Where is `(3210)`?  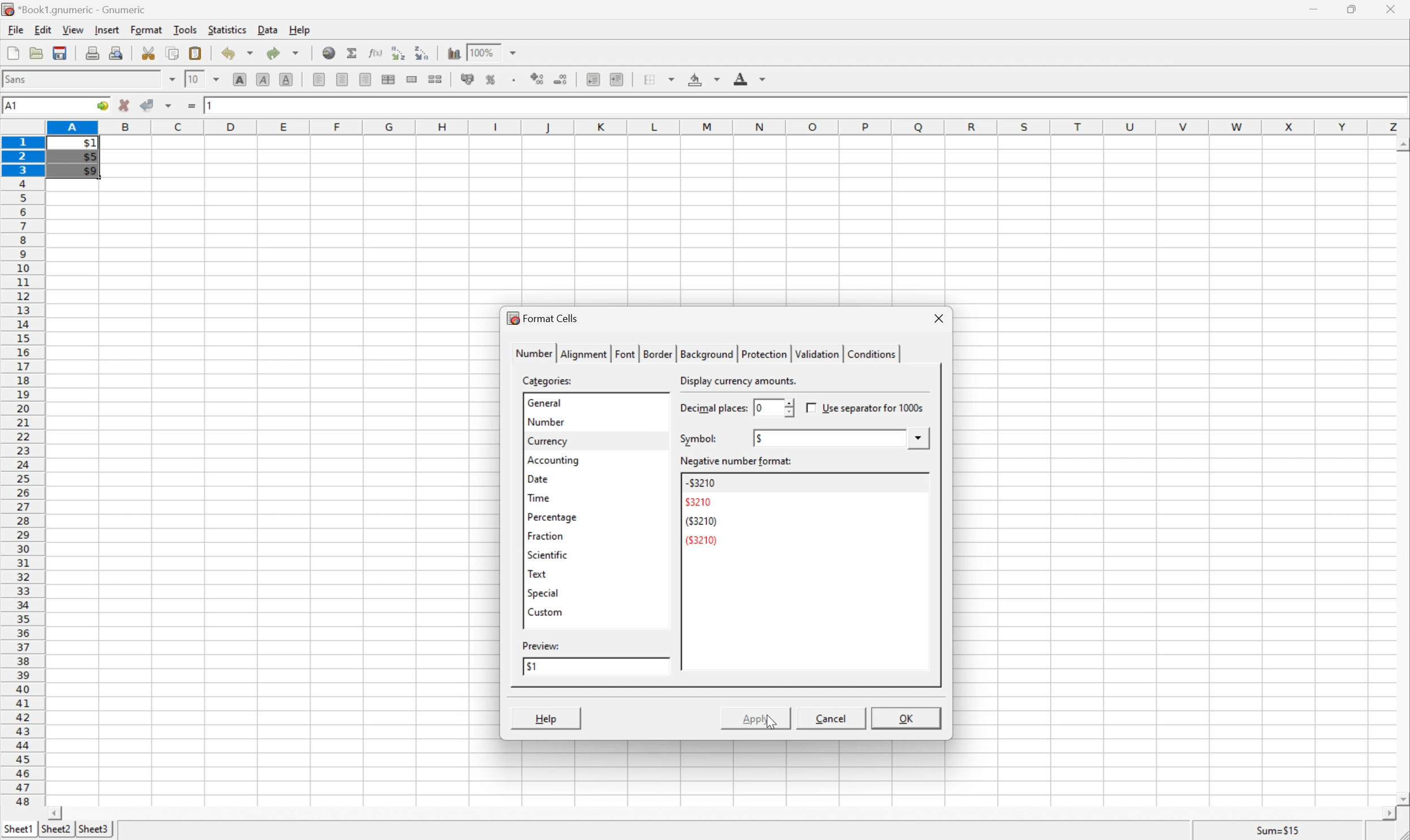 (3210) is located at coordinates (700, 521).